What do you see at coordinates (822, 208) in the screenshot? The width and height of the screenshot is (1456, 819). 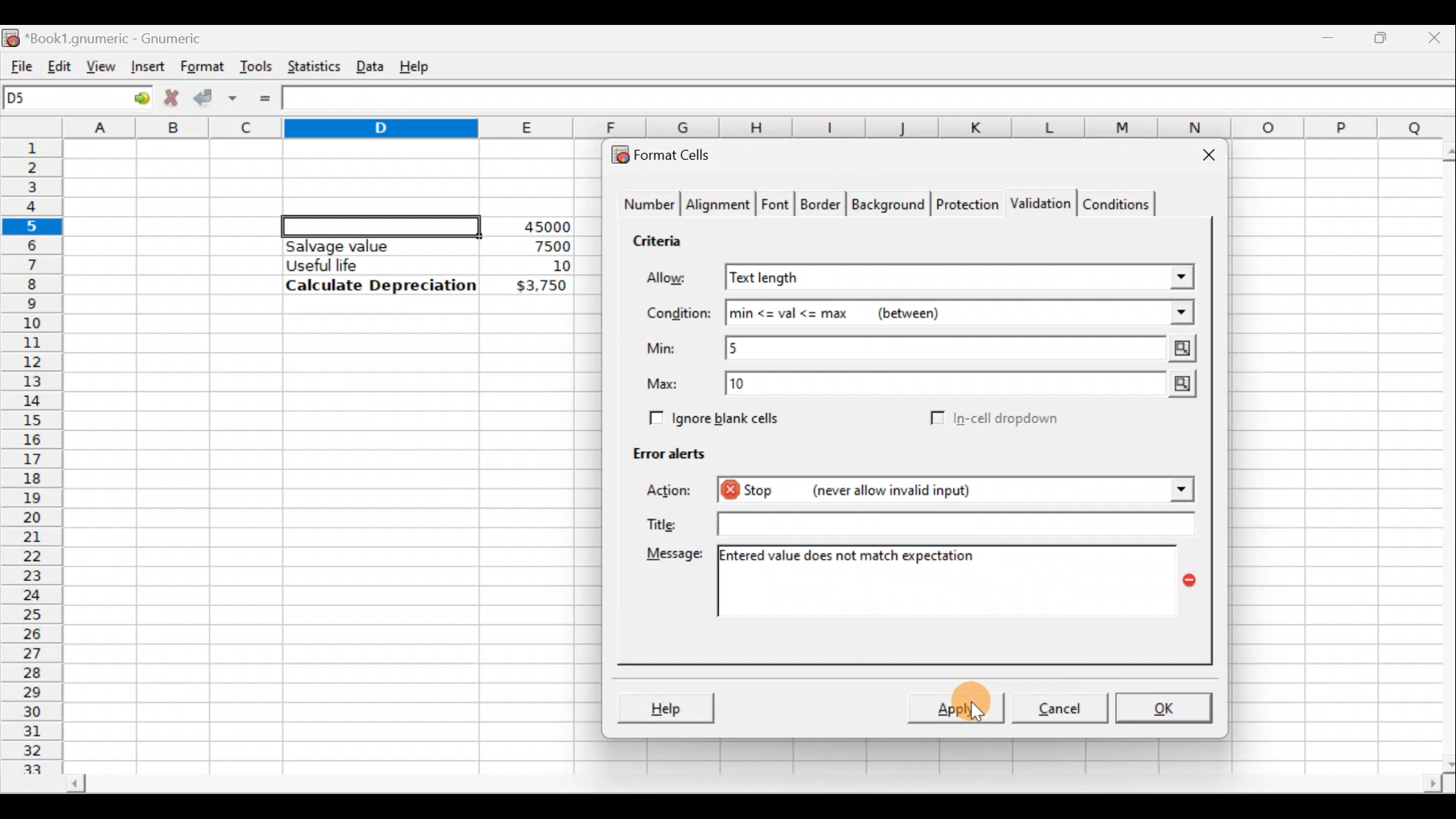 I see `Border` at bounding box center [822, 208].